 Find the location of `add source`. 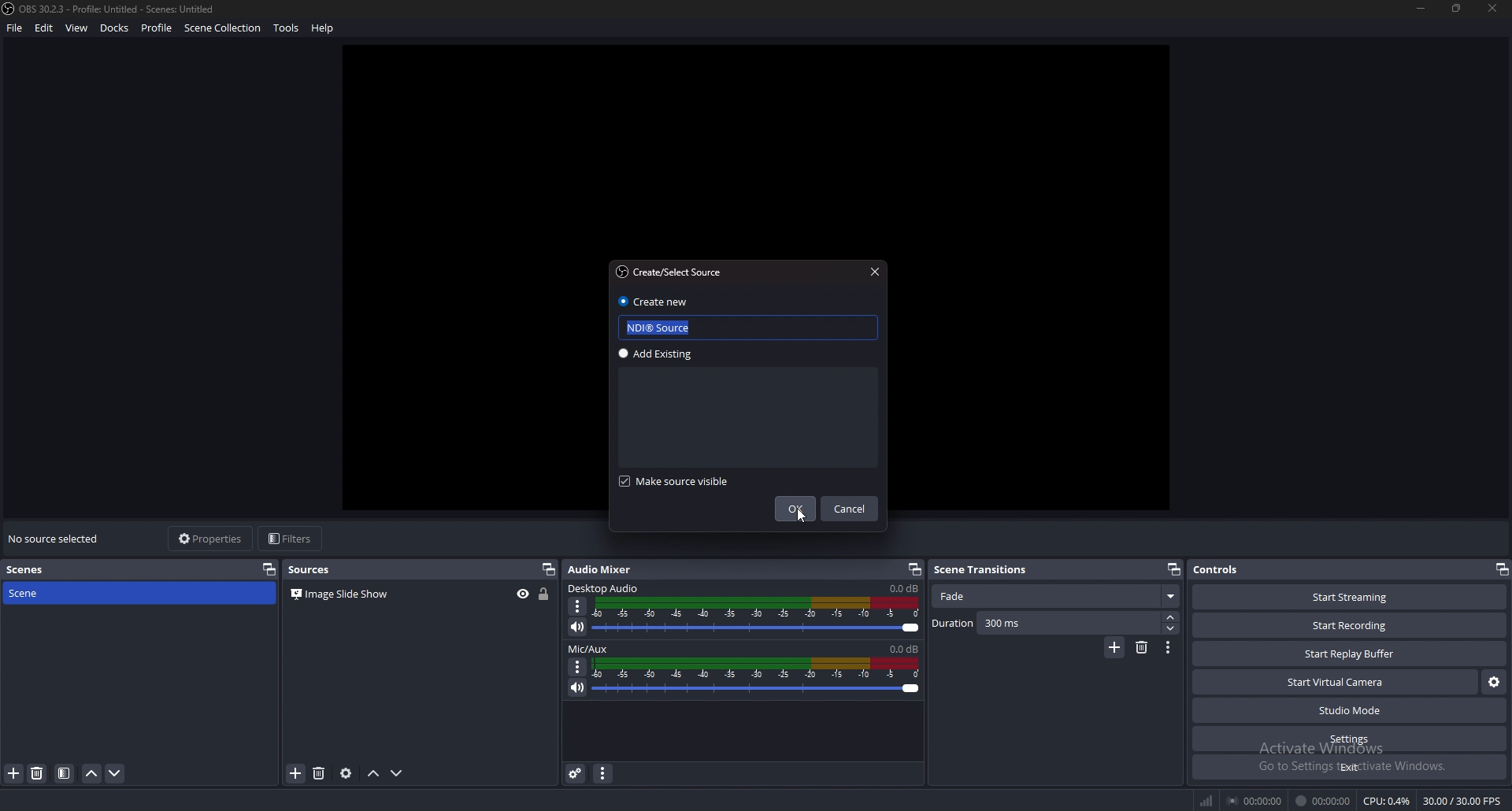

add source is located at coordinates (13, 774).